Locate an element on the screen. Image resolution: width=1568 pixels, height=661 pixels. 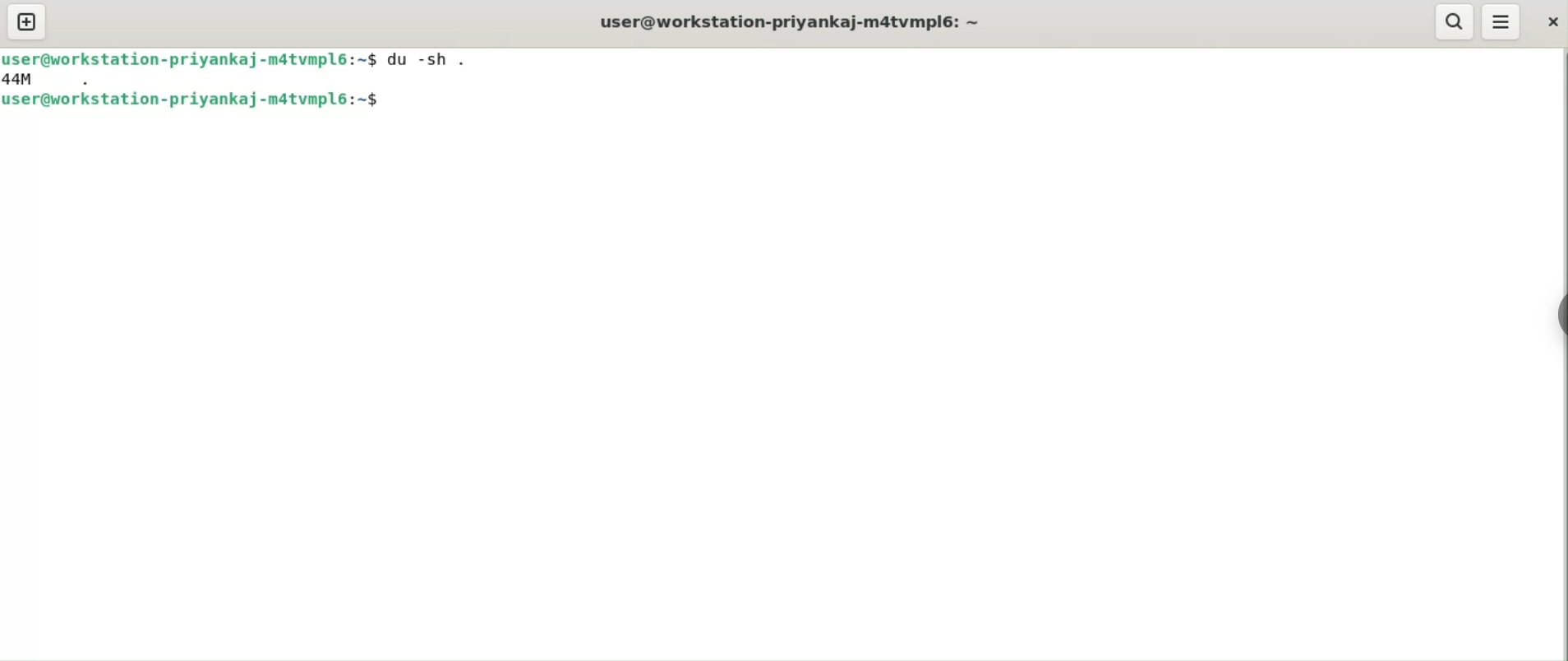
search is located at coordinates (1455, 21).